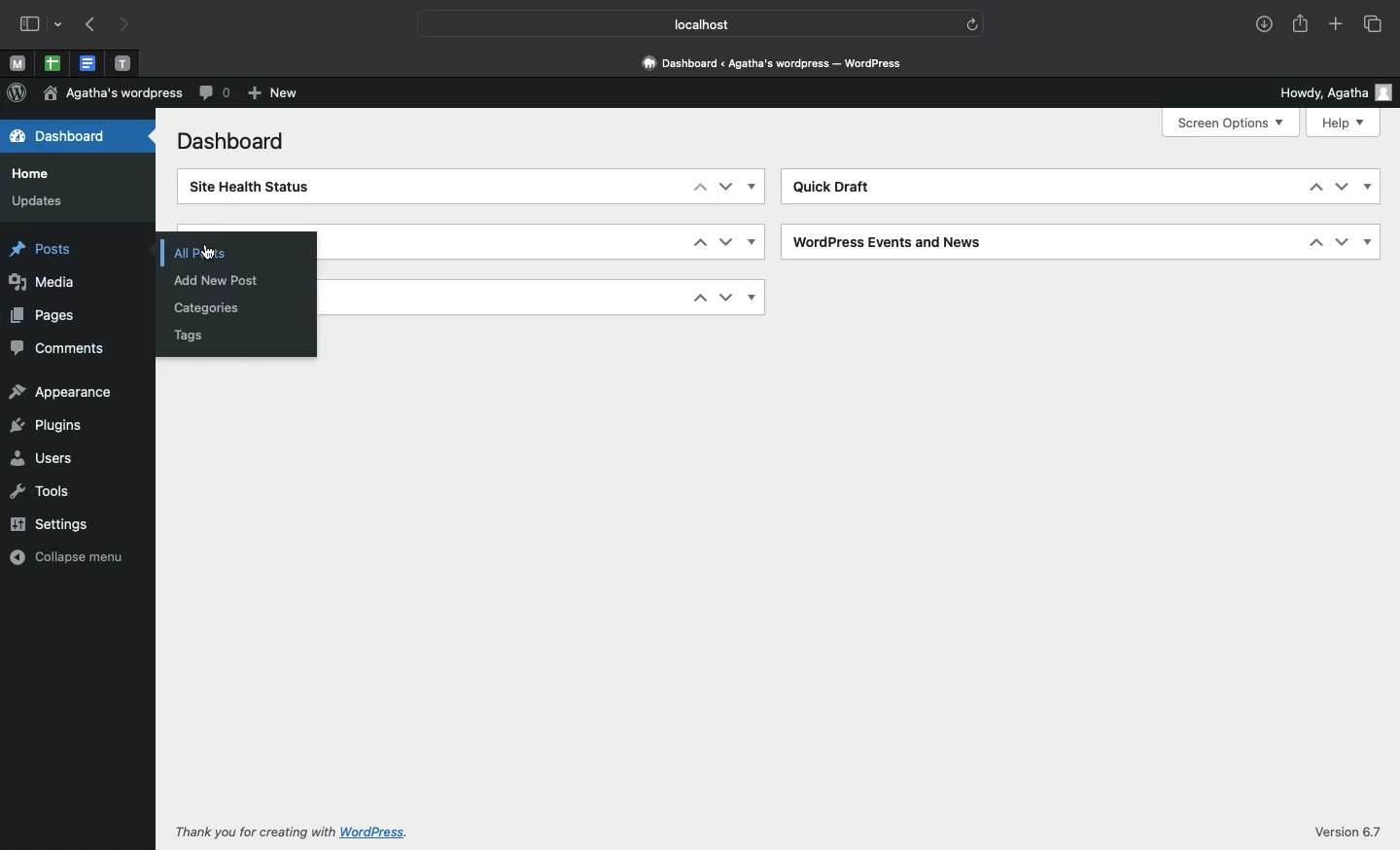  Describe the element at coordinates (129, 23) in the screenshot. I see `Next page` at that location.